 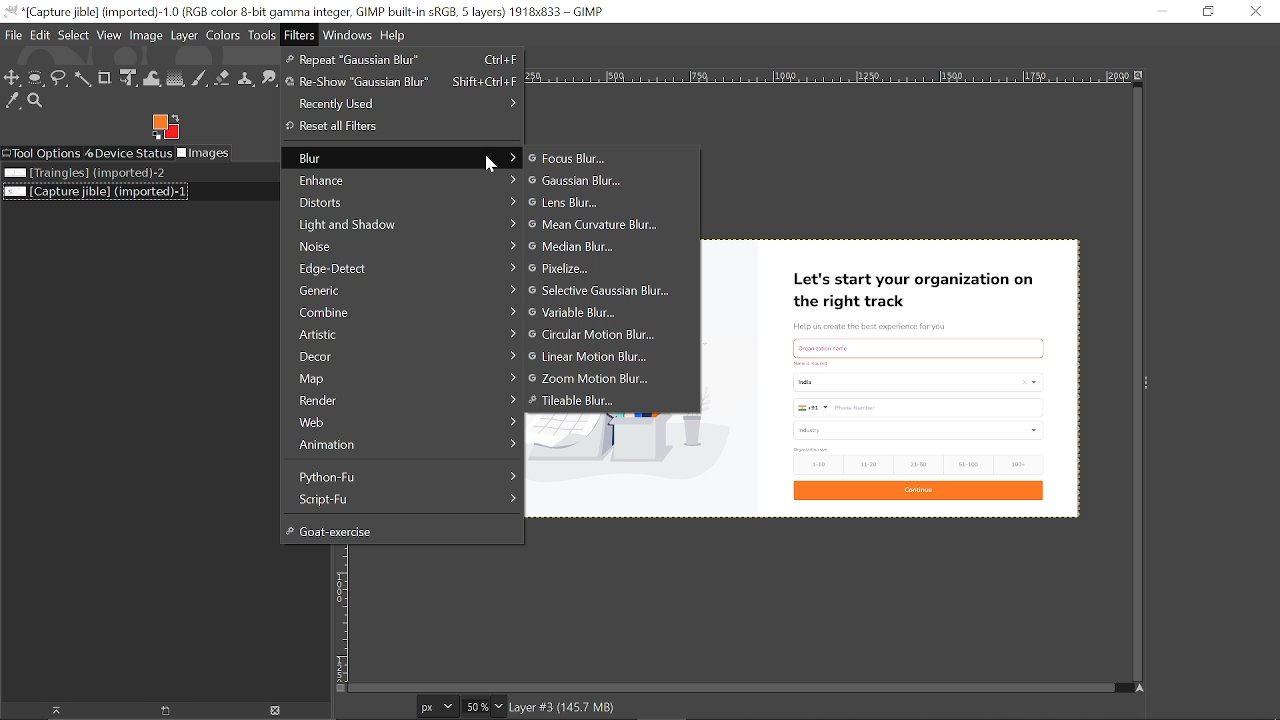 I want to click on Paintbrush tool, so click(x=199, y=78).